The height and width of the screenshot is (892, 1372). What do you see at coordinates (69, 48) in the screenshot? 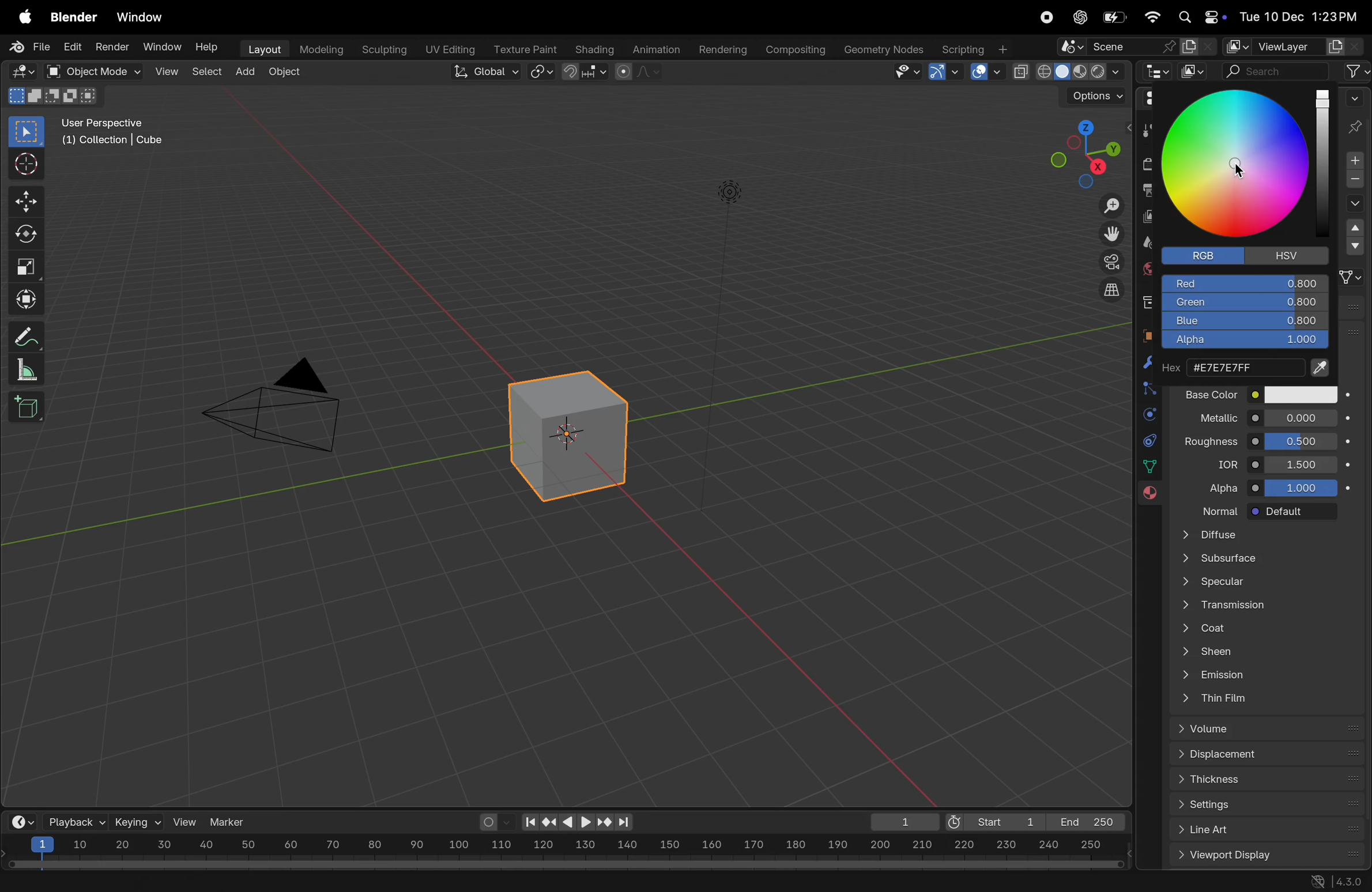
I see `edit` at bounding box center [69, 48].